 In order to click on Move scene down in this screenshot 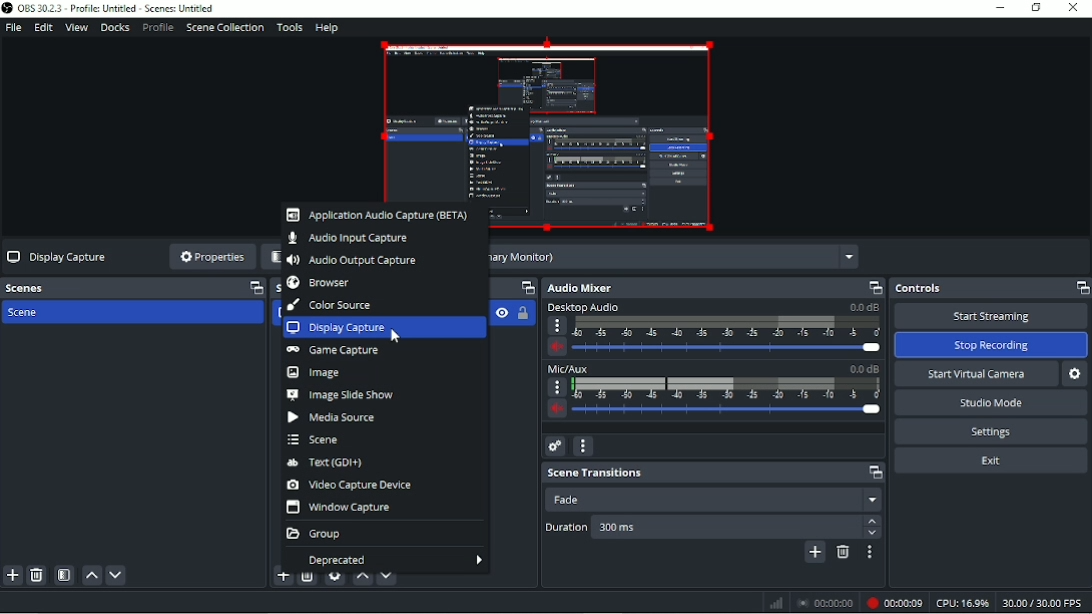, I will do `click(117, 574)`.